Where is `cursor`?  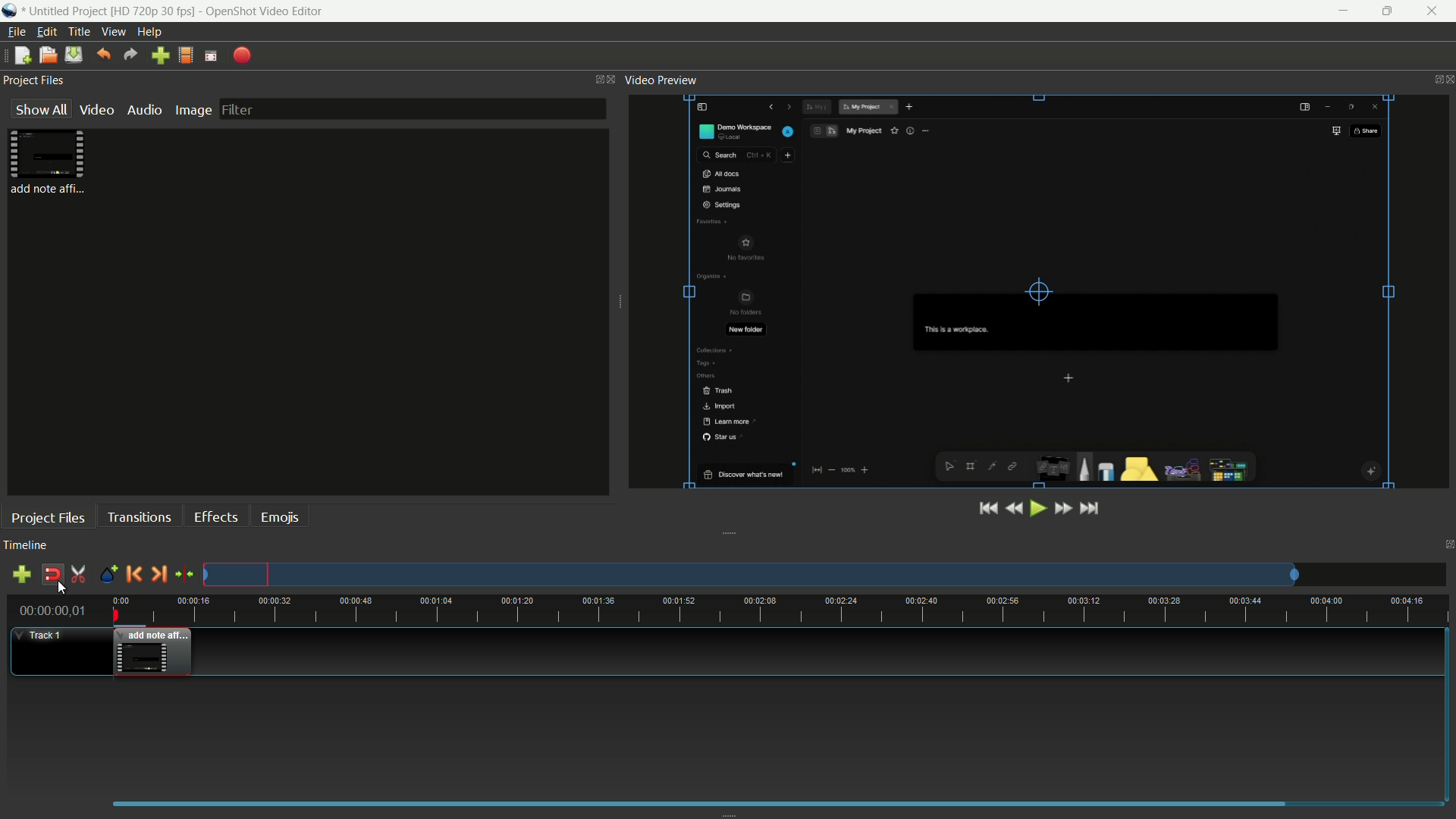
cursor is located at coordinates (60, 592).